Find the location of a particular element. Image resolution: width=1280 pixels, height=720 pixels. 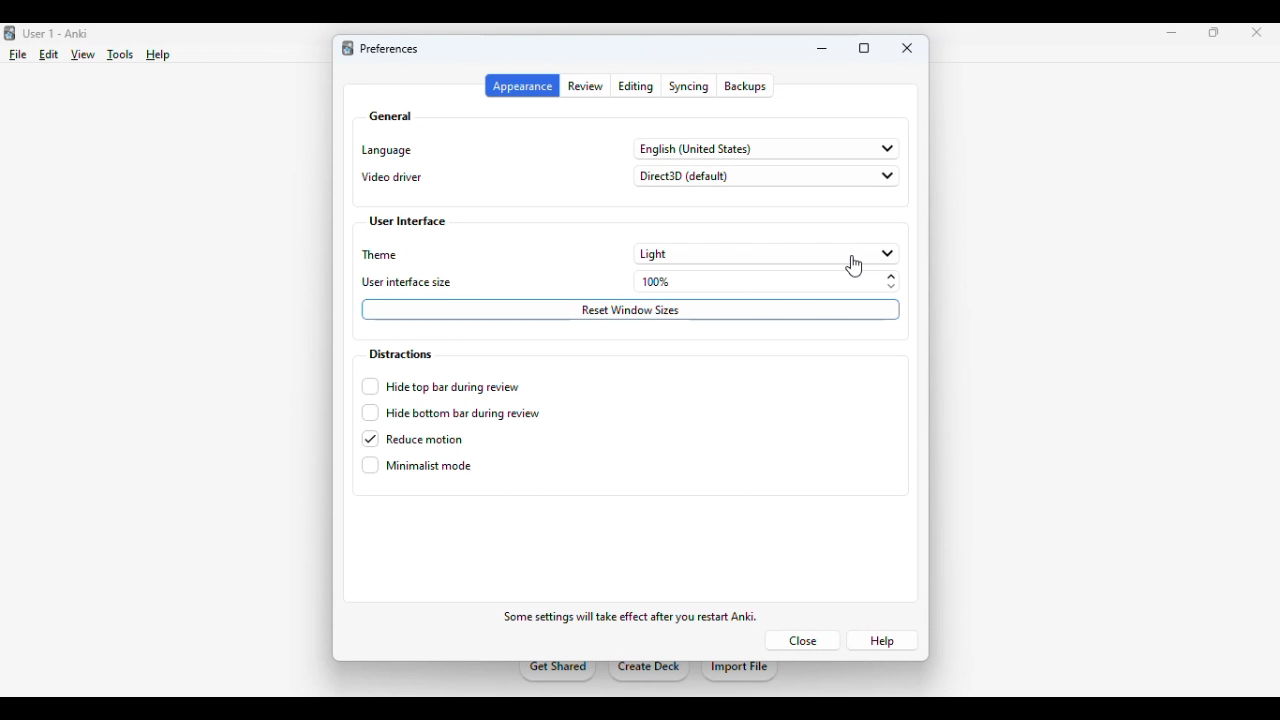

cursor is located at coordinates (854, 266).